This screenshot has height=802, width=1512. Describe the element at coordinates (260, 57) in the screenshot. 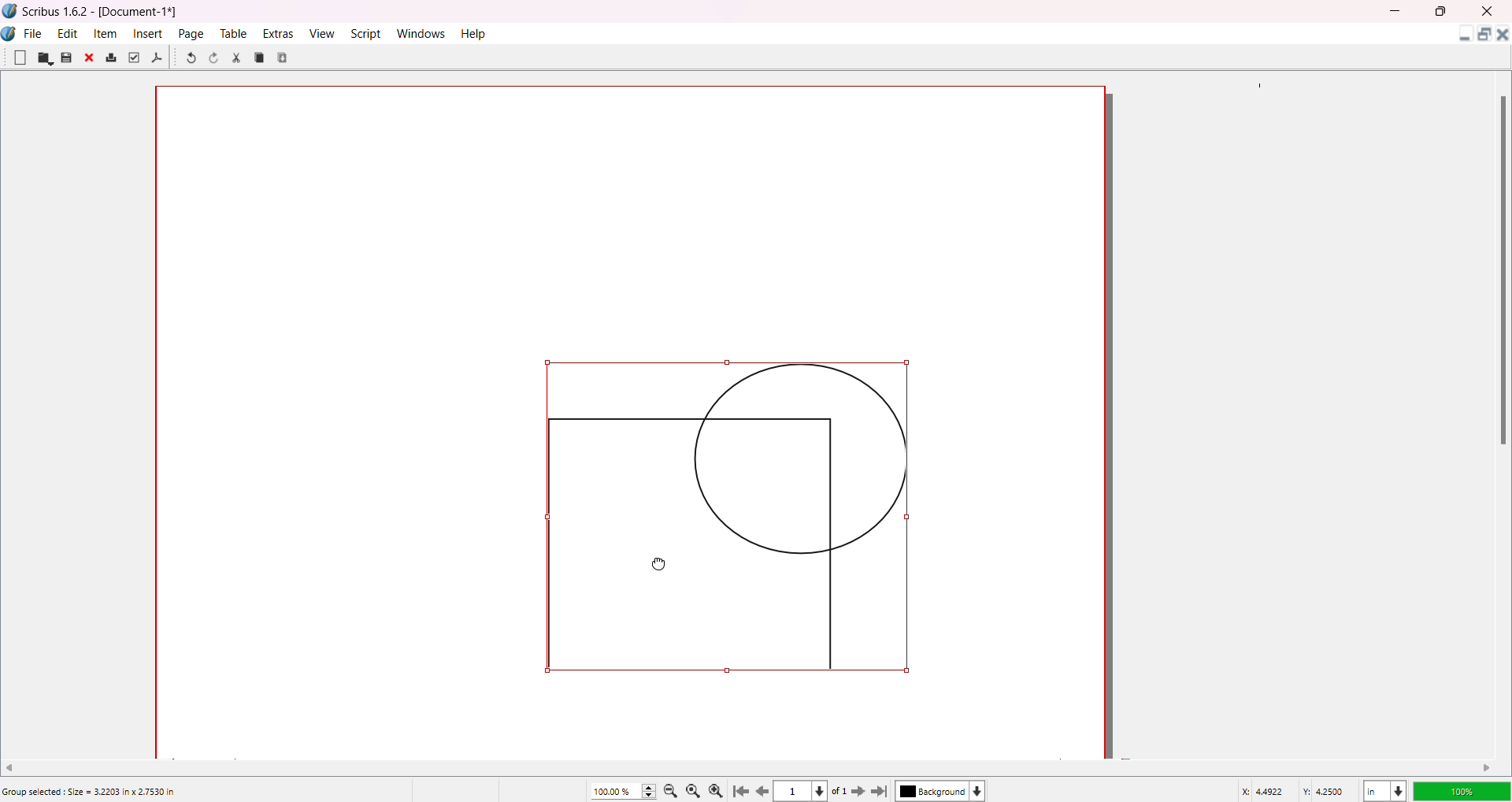

I see `Copy` at that location.